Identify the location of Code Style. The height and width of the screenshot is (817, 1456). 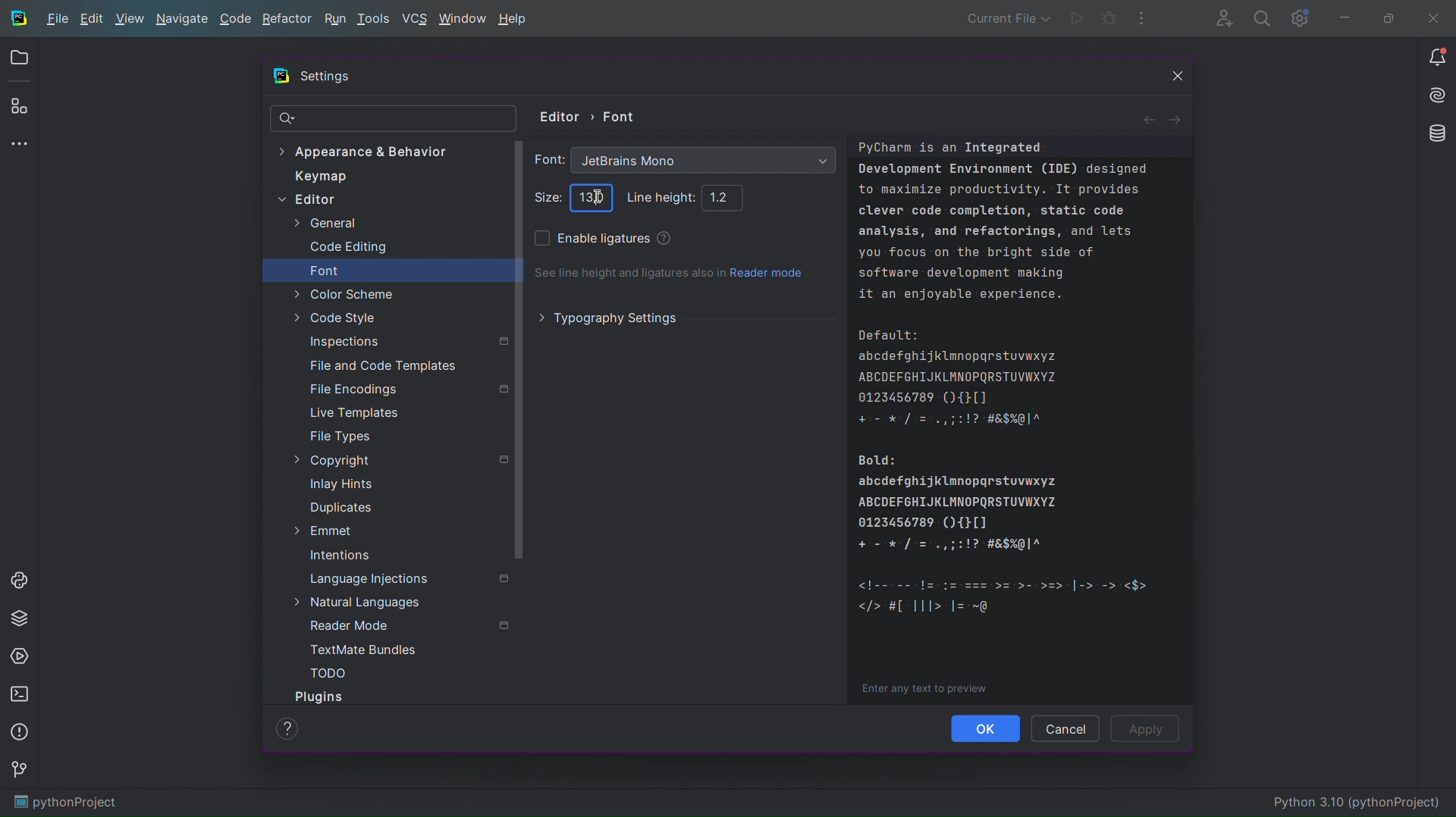
(337, 318).